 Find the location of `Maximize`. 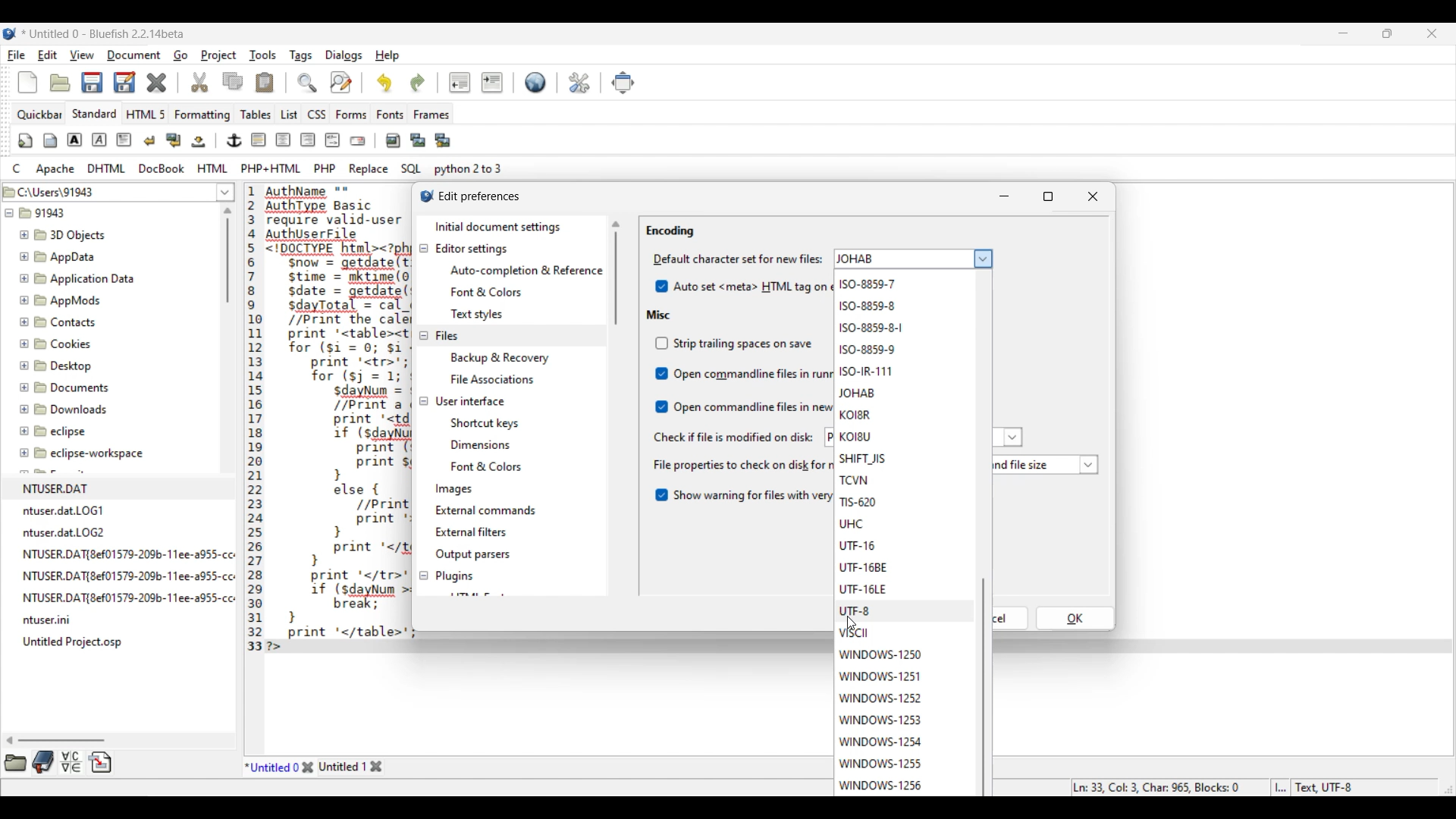

Maximize is located at coordinates (1052, 197).